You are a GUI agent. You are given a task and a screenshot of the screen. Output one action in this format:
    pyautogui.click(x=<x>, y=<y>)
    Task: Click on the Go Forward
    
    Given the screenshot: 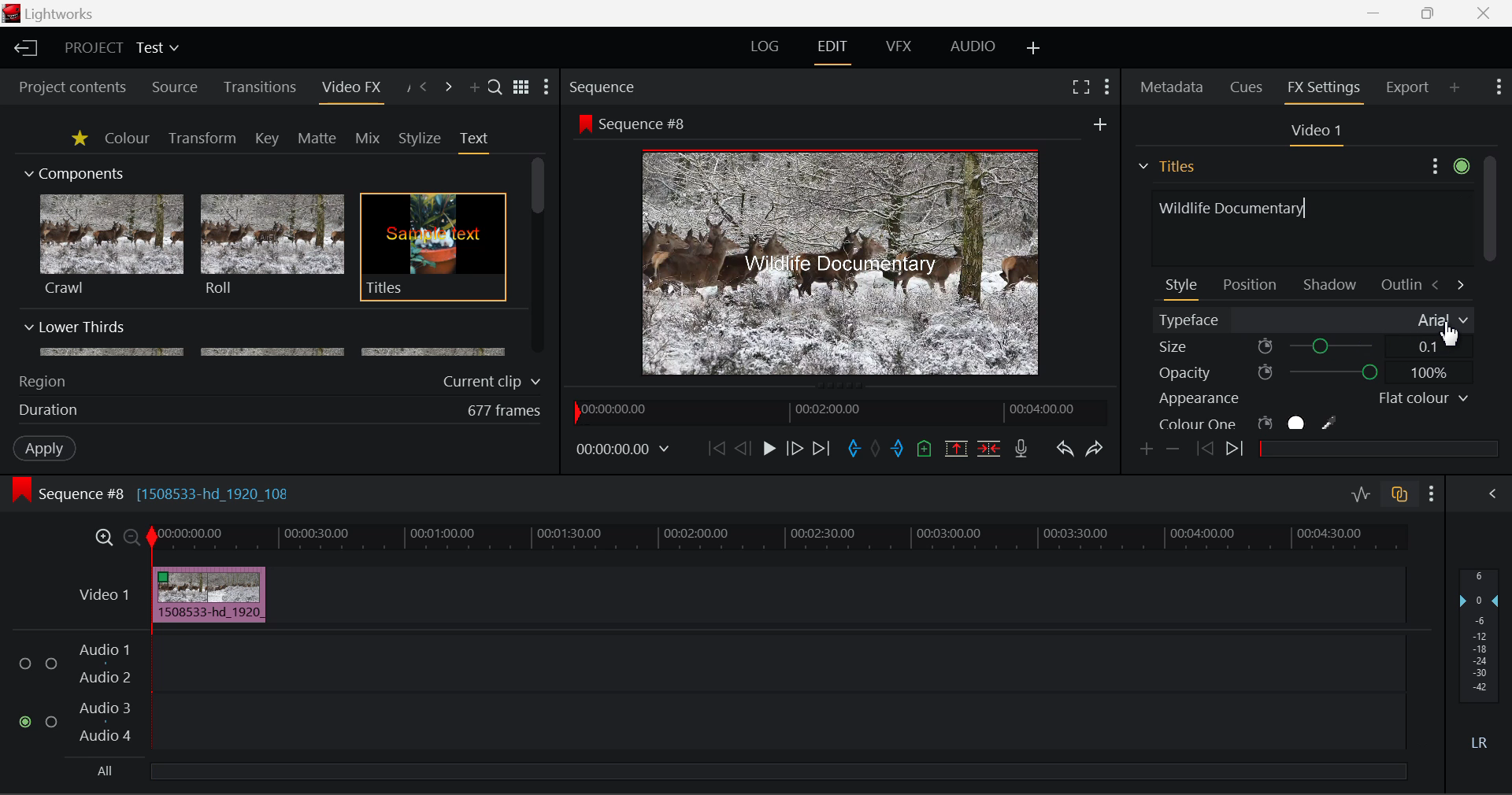 What is the action you would take?
    pyautogui.click(x=794, y=449)
    